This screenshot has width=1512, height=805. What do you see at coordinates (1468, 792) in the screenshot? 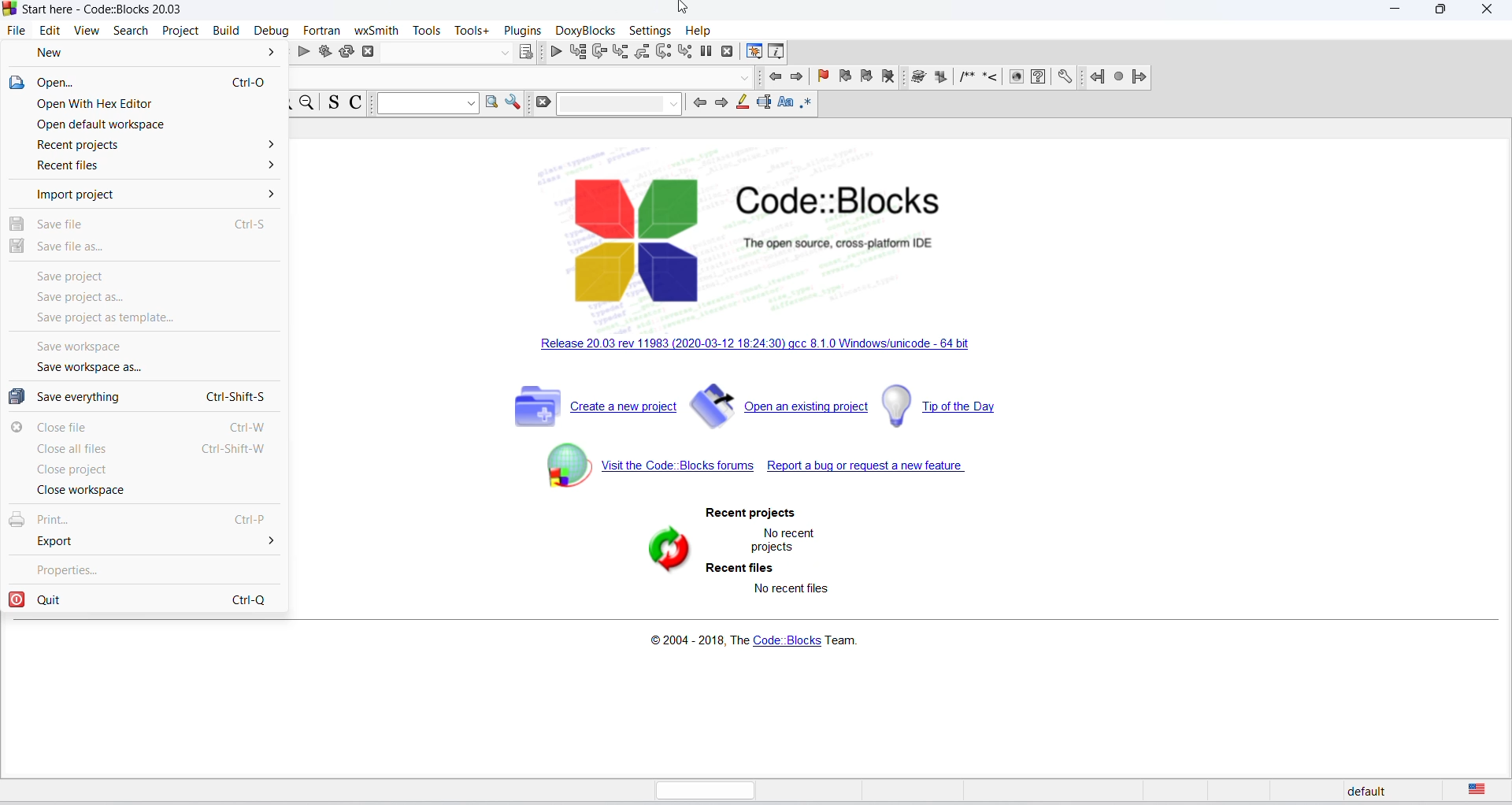
I see `text language` at bounding box center [1468, 792].